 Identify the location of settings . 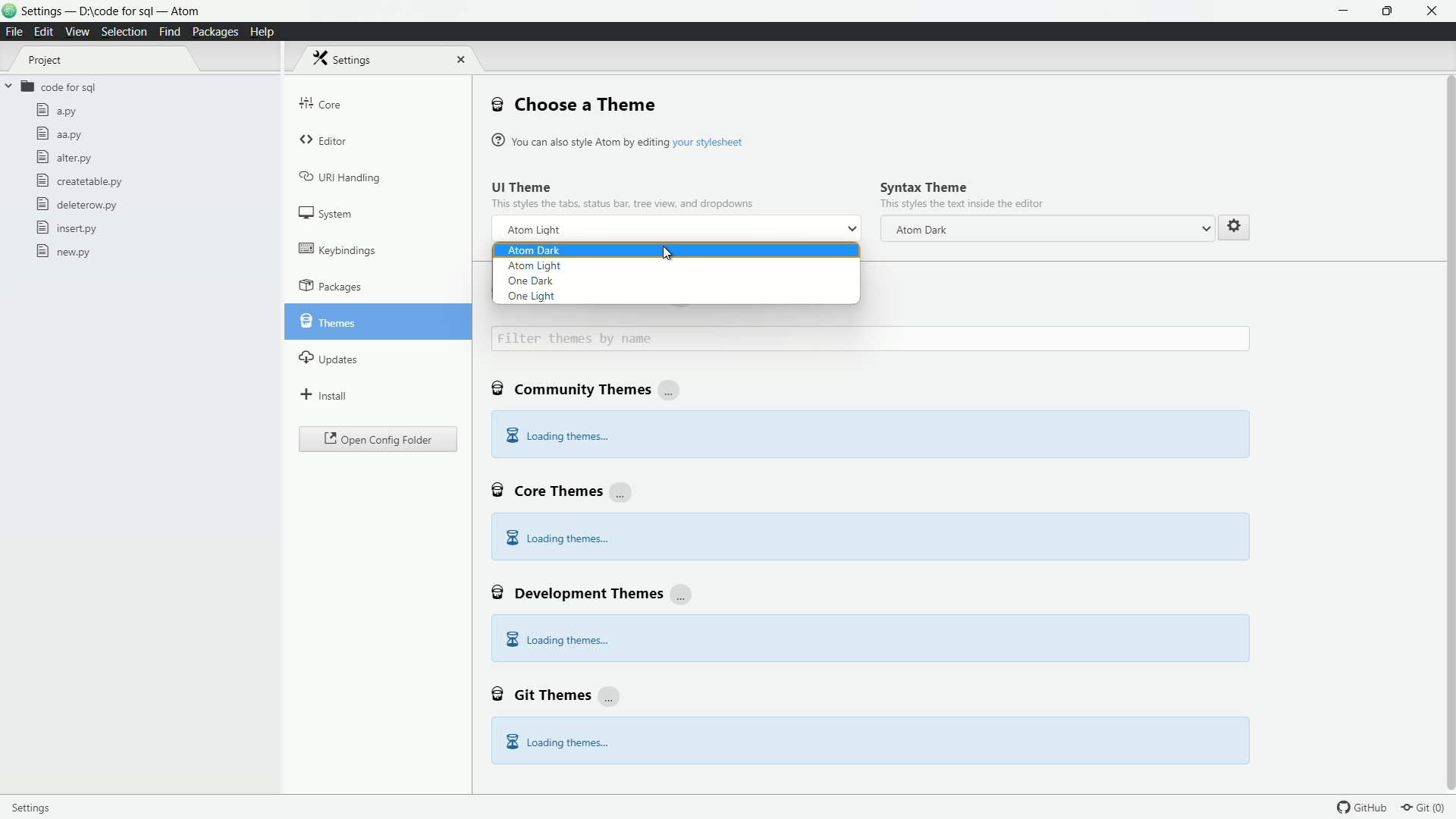
(39, 806).